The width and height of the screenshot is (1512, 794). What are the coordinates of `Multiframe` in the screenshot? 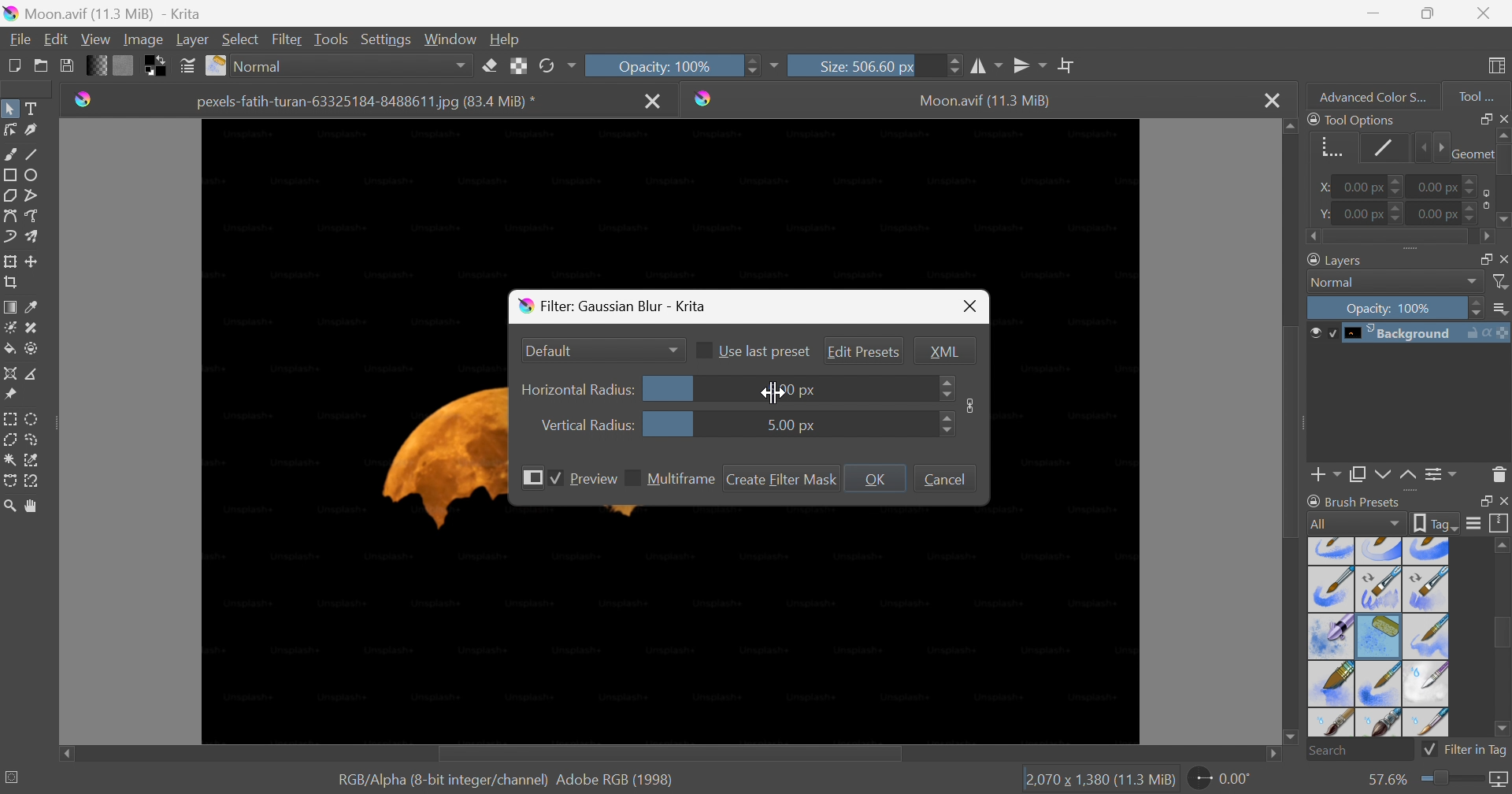 It's located at (681, 479).